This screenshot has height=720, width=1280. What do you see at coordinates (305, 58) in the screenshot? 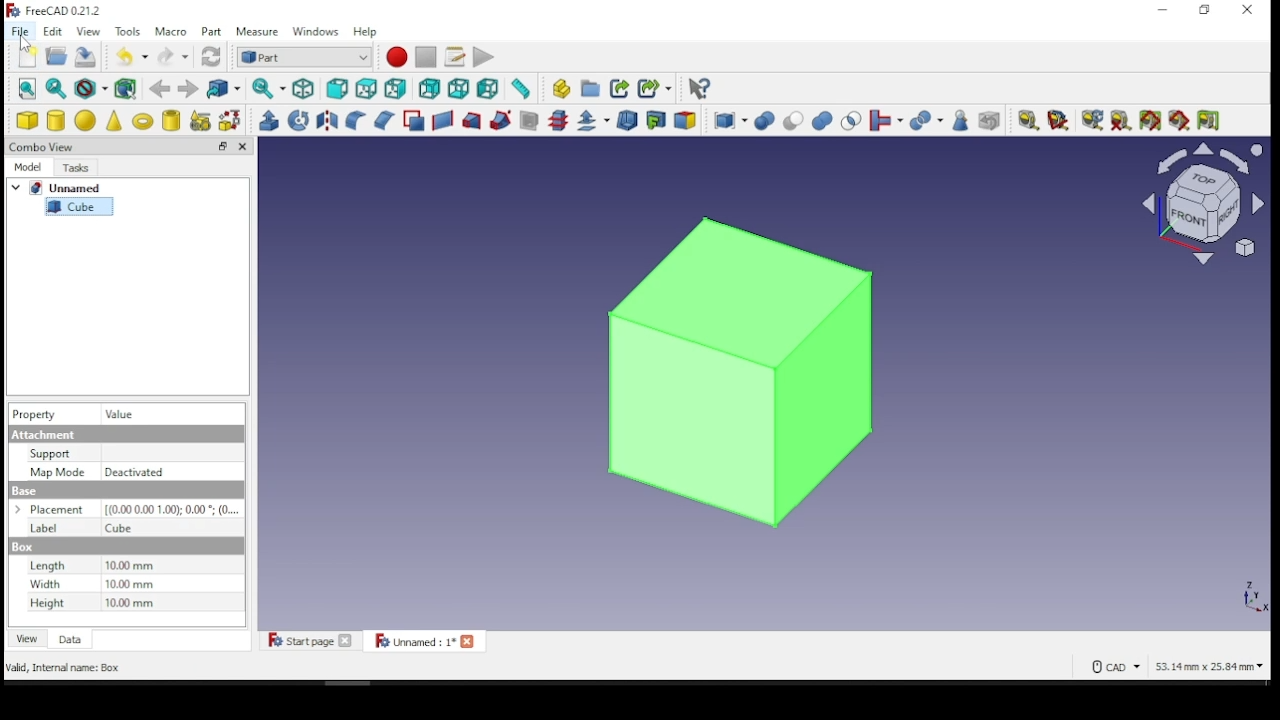
I see `switch between workbenches` at bounding box center [305, 58].